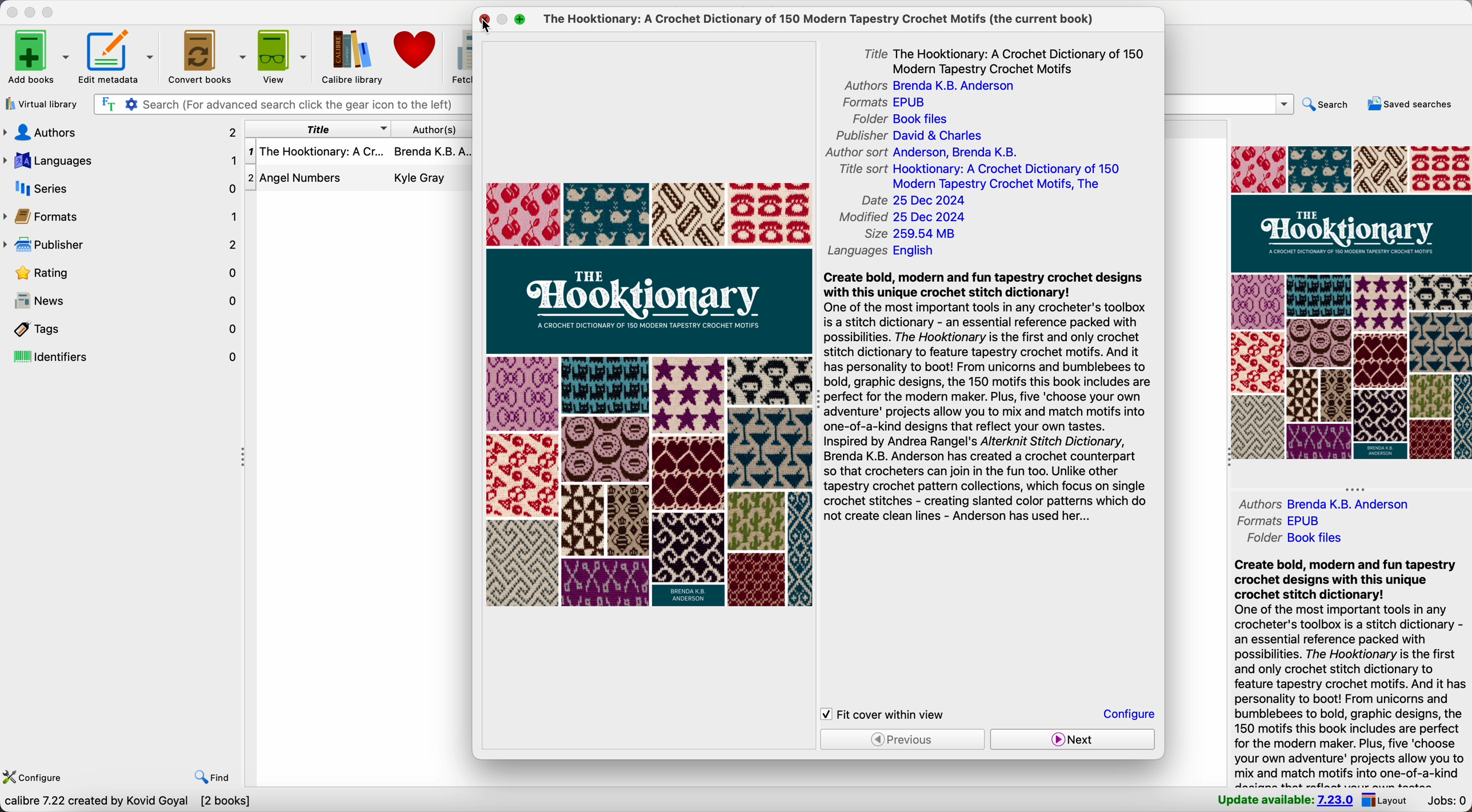 Image resolution: width=1472 pixels, height=812 pixels. I want to click on maximize, so click(49, 13).